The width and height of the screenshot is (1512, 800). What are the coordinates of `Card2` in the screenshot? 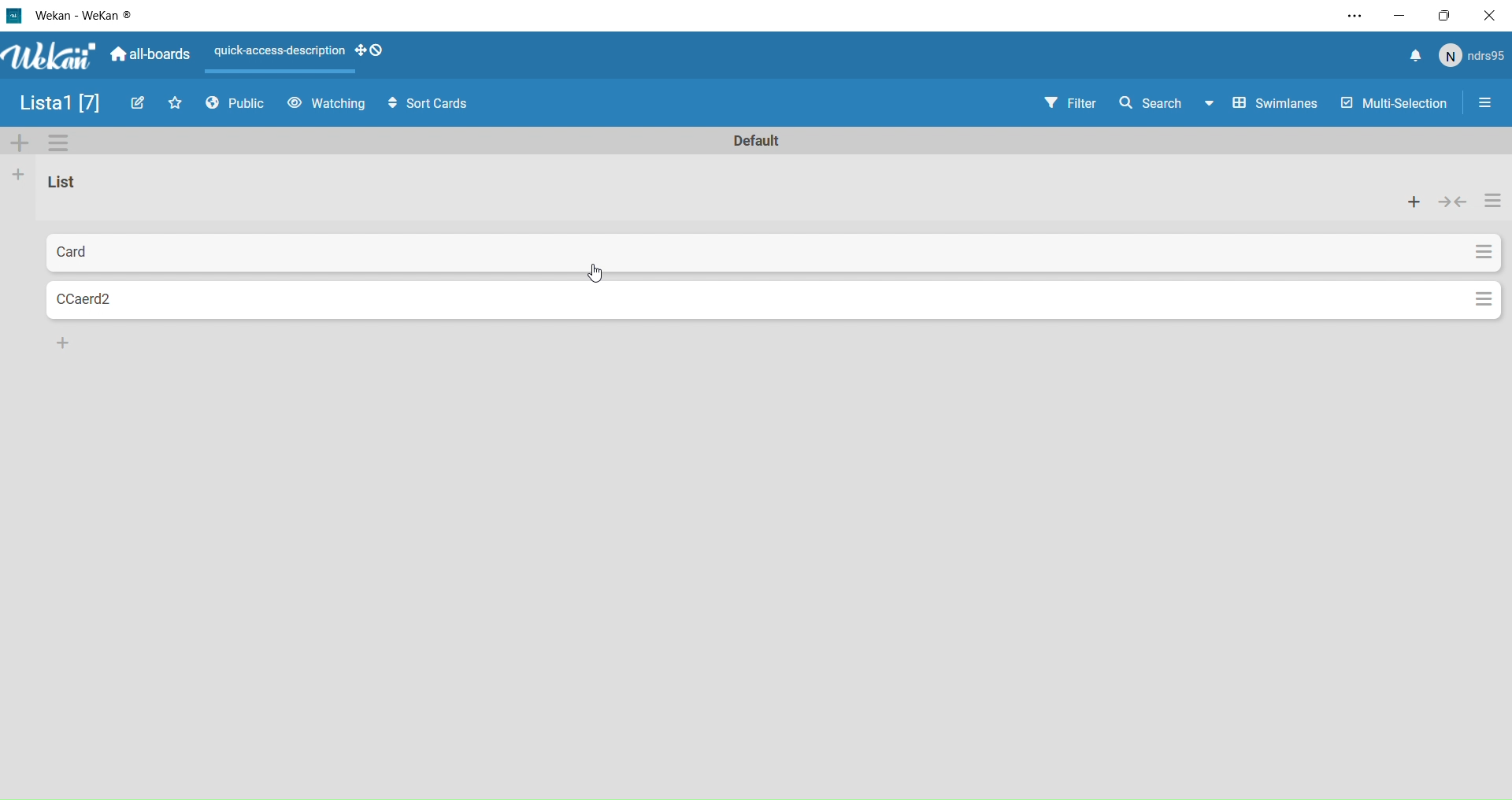 It's located at (617, 303).